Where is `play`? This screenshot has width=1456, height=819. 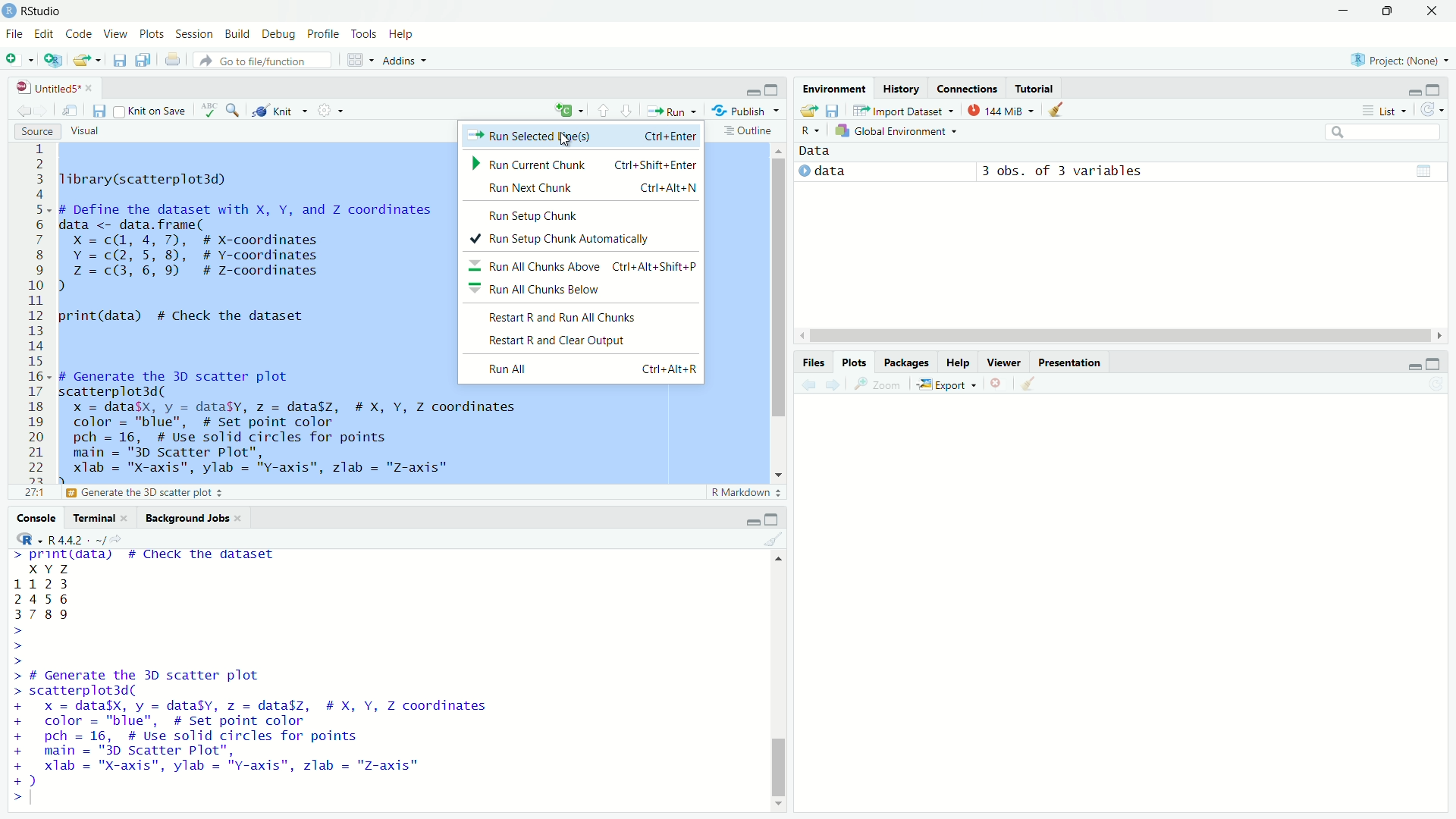 play is located at coordinates (800, 172).